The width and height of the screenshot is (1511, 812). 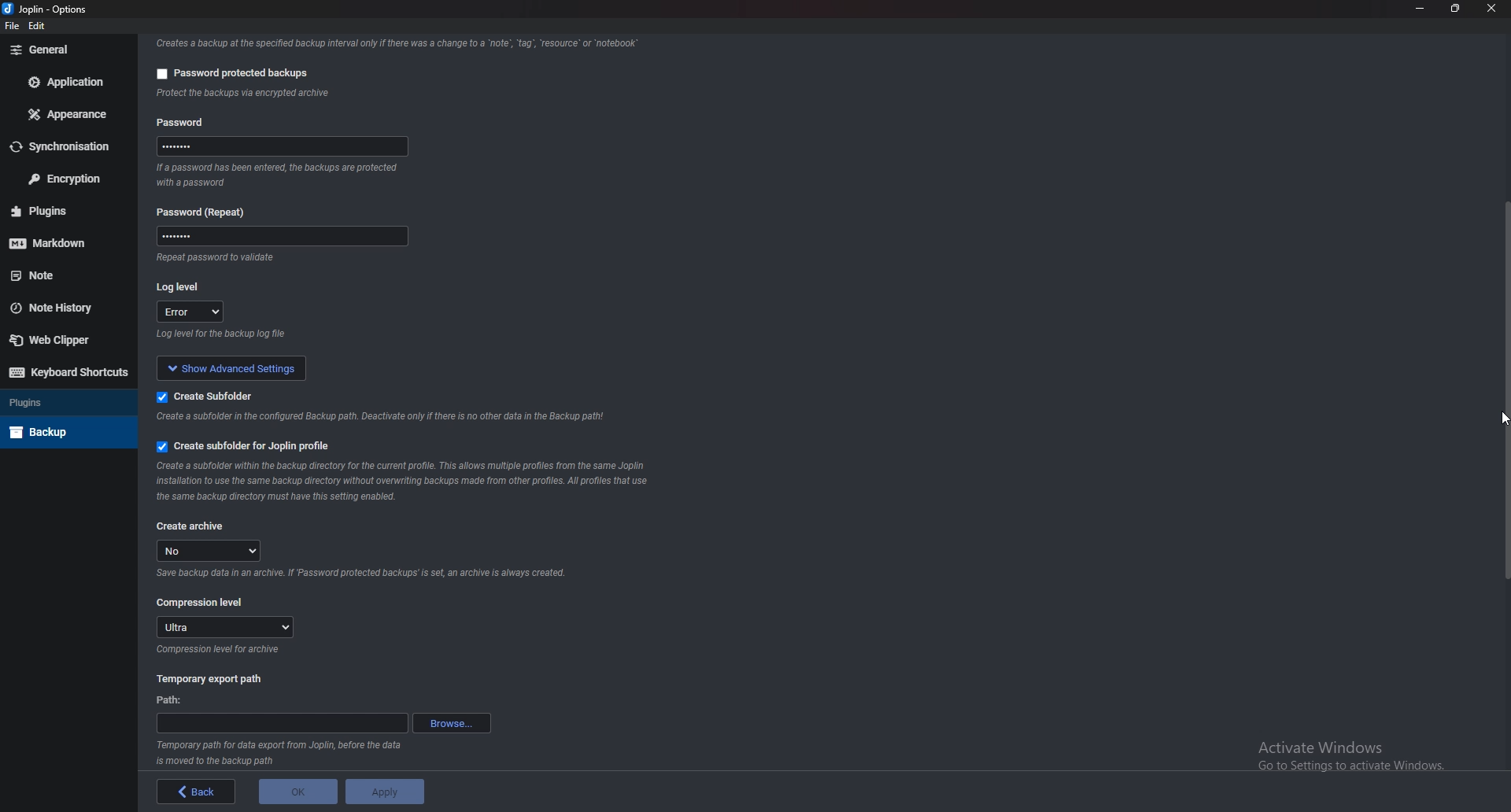 What do you see at coordinates (12, 26) in the screenshot?
I see `file` at bounding box center [12, 26].